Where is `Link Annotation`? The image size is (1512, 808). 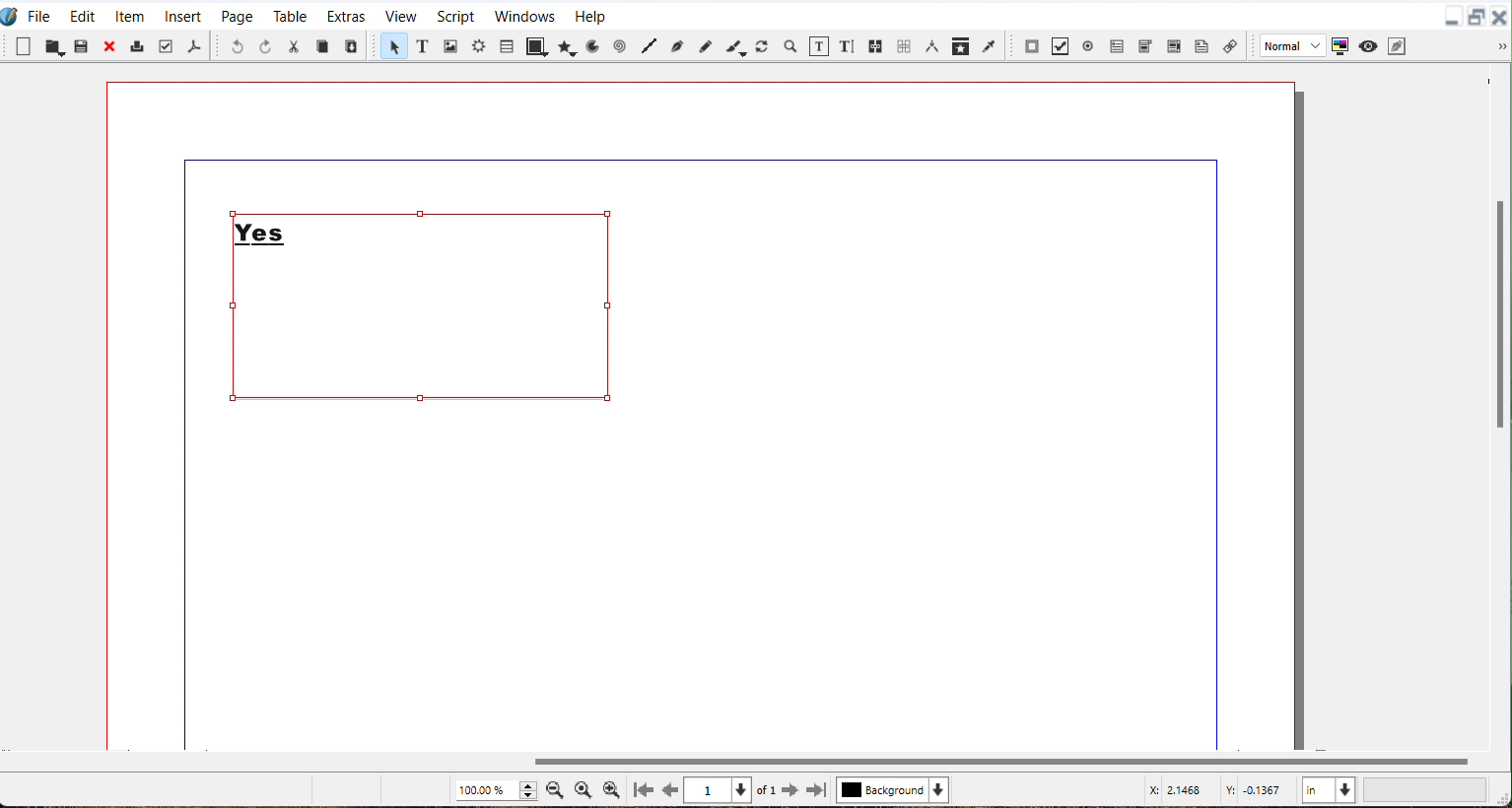
Link Annotation is located at coordinates (1230, 43).